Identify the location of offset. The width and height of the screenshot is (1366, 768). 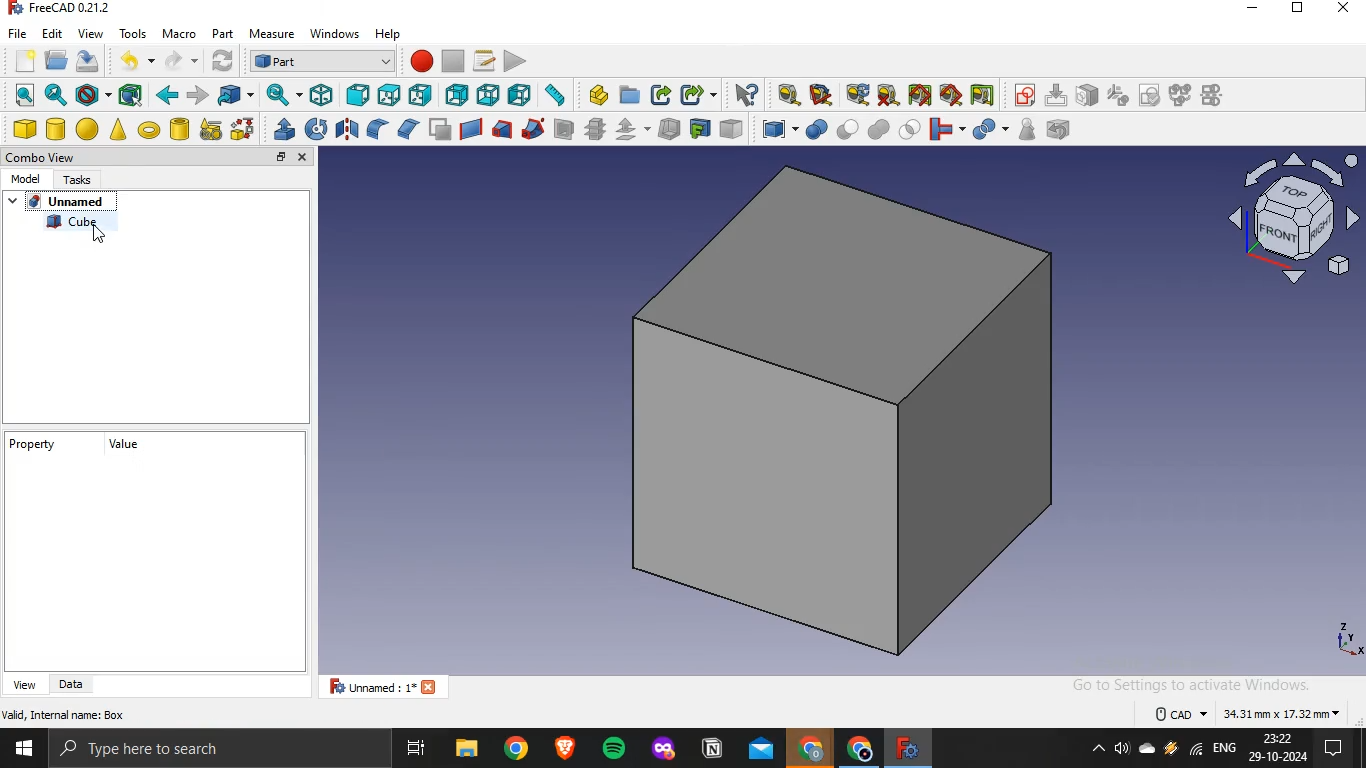
(631, 129).